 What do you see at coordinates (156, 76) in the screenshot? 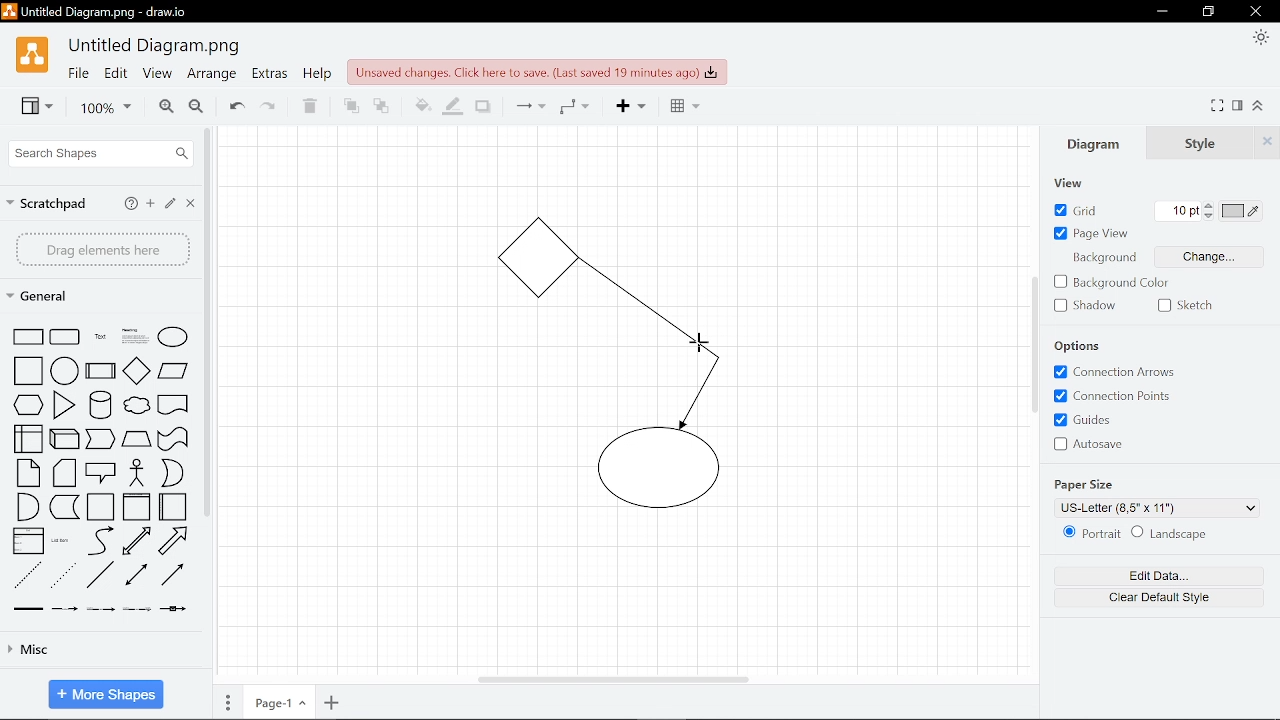
I see `View` at bounding box center [156, 76].